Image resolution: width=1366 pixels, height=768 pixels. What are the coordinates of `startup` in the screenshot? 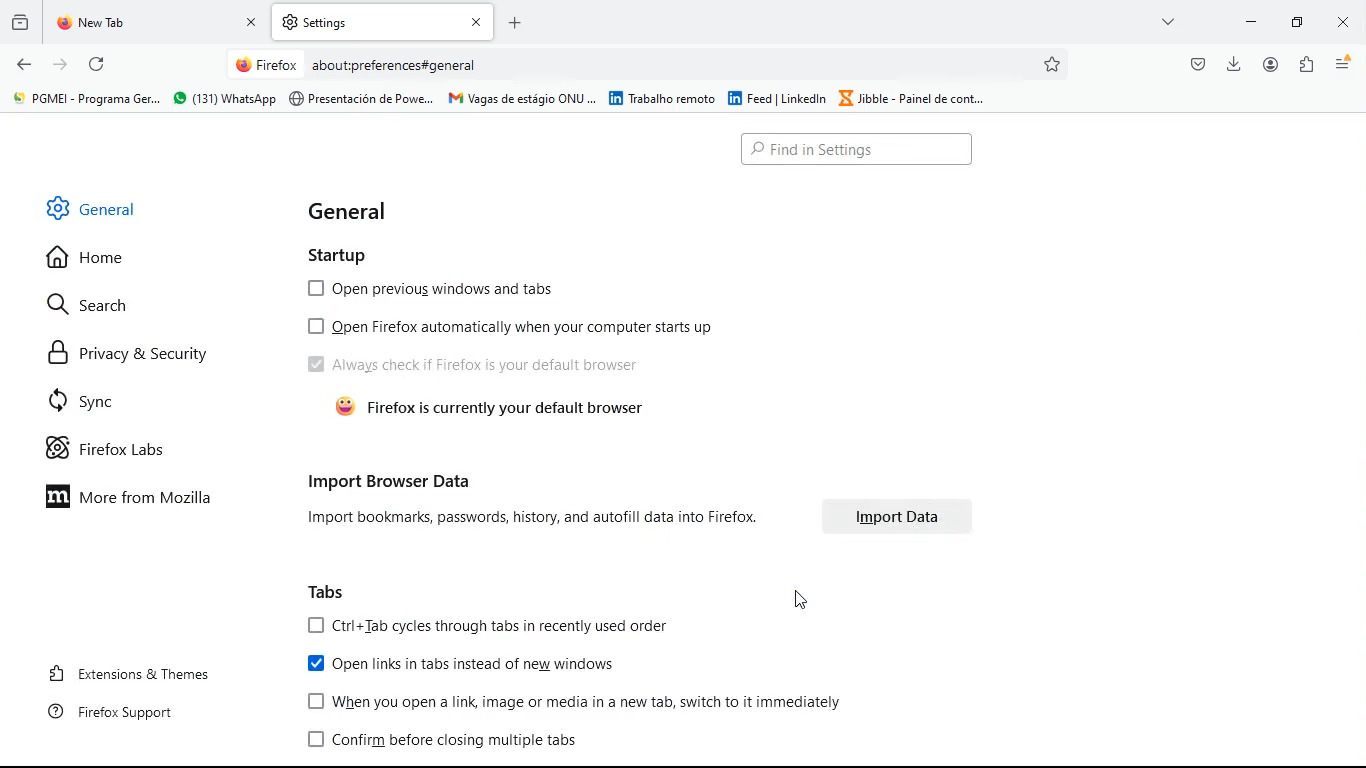 It's located at (342, 252).